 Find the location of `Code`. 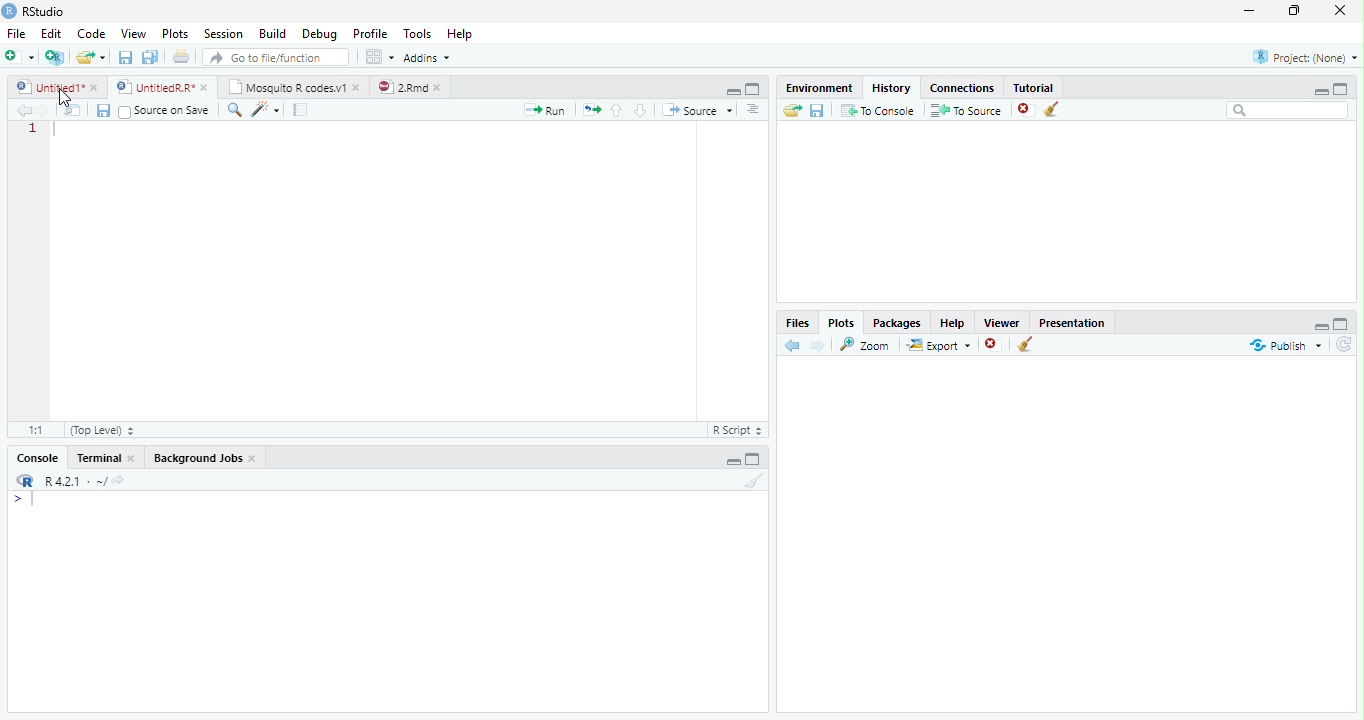

Code is located at coordinates (371, 271).